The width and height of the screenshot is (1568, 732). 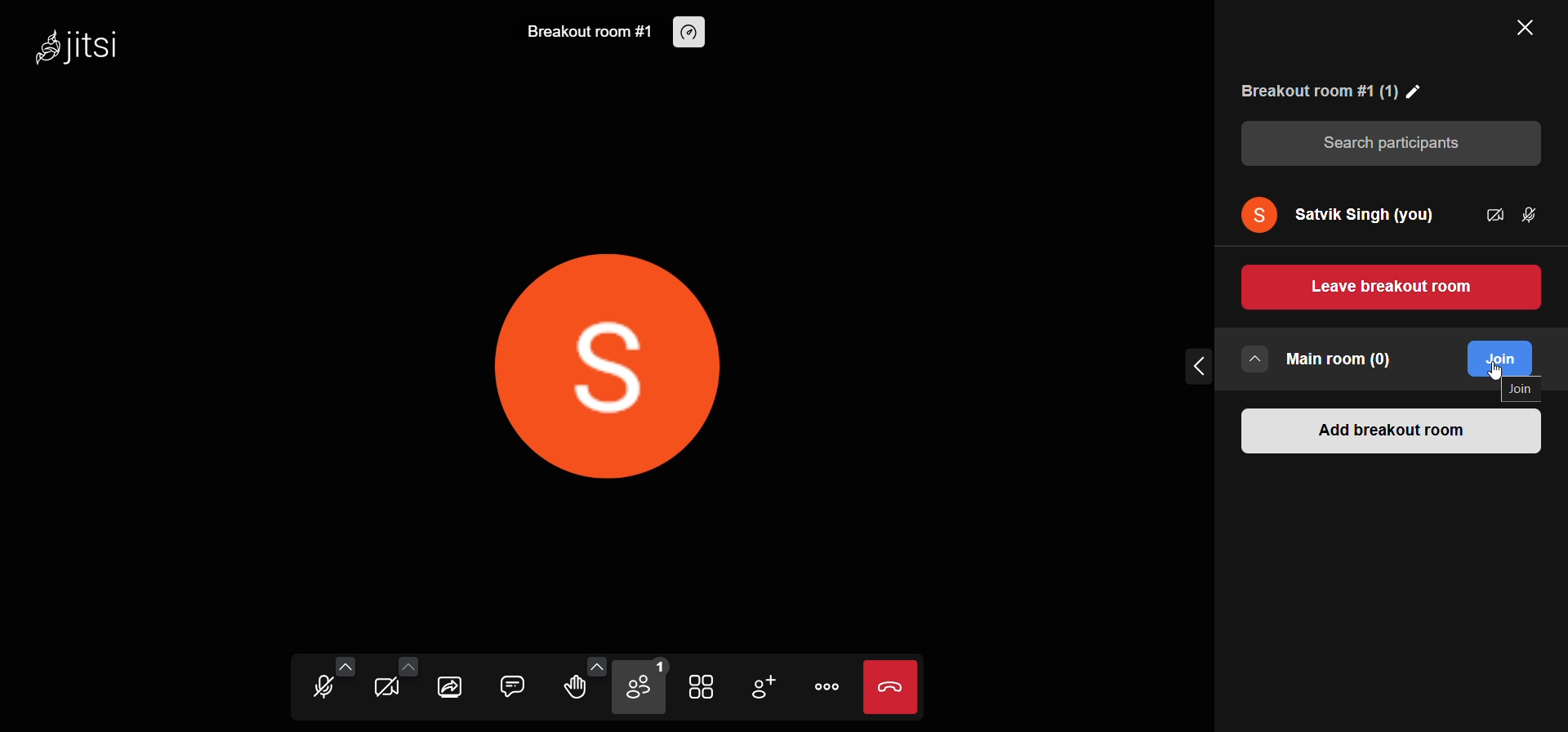 I want to click on more camera option, so click(x=732, y=1050).